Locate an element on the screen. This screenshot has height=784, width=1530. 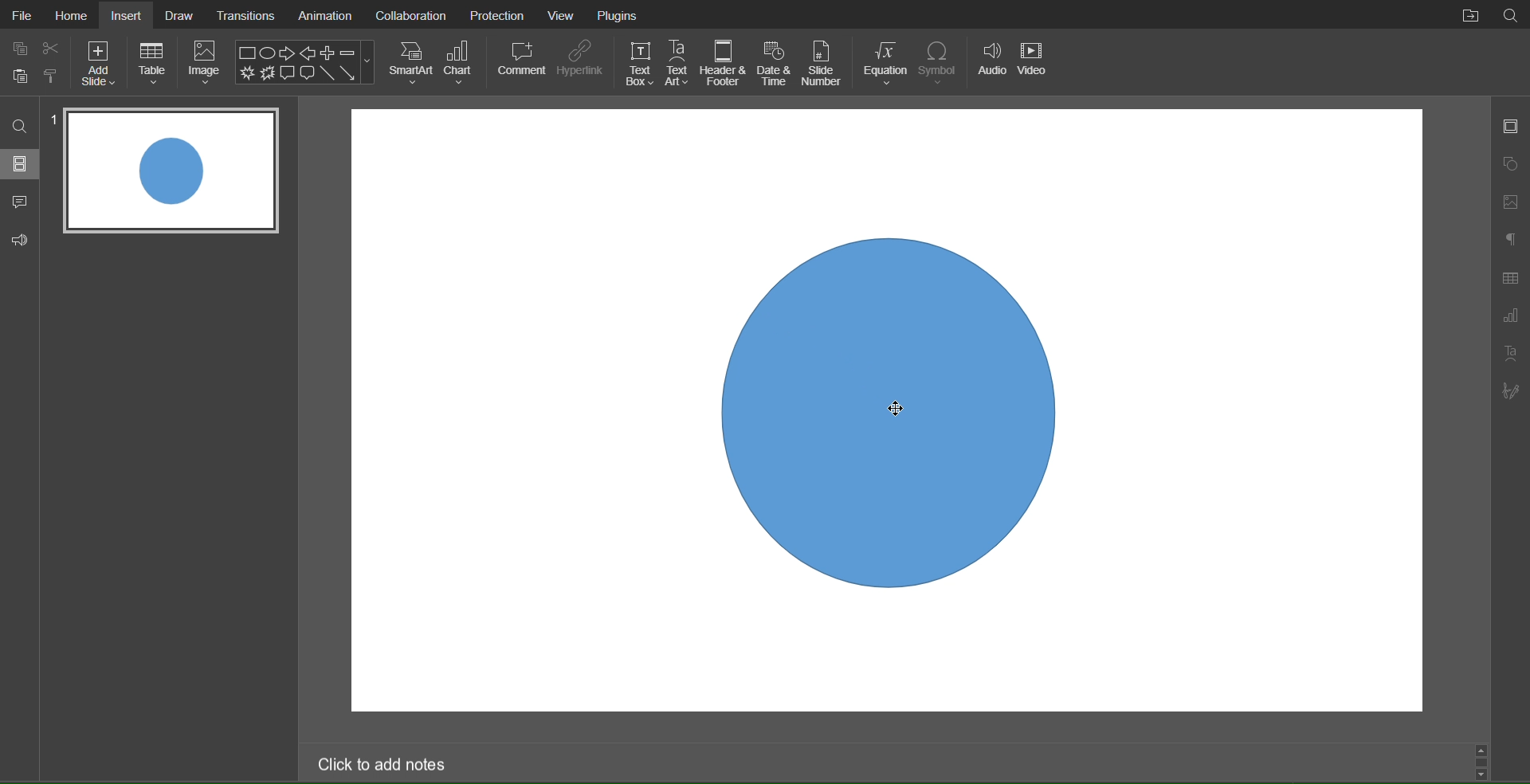
Video is located at coordinates (1035, 65).